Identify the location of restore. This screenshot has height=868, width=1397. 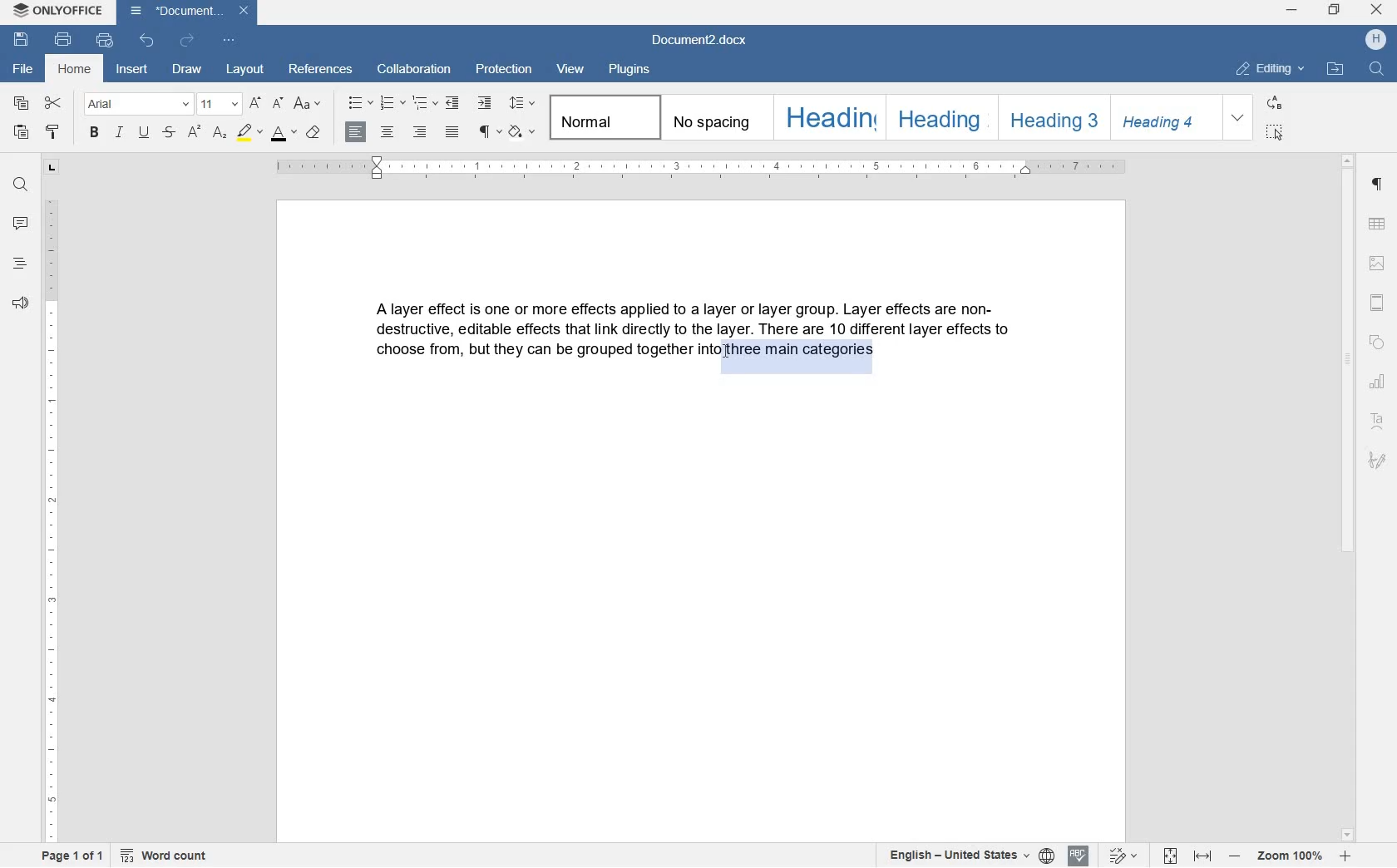
(1333, 11).